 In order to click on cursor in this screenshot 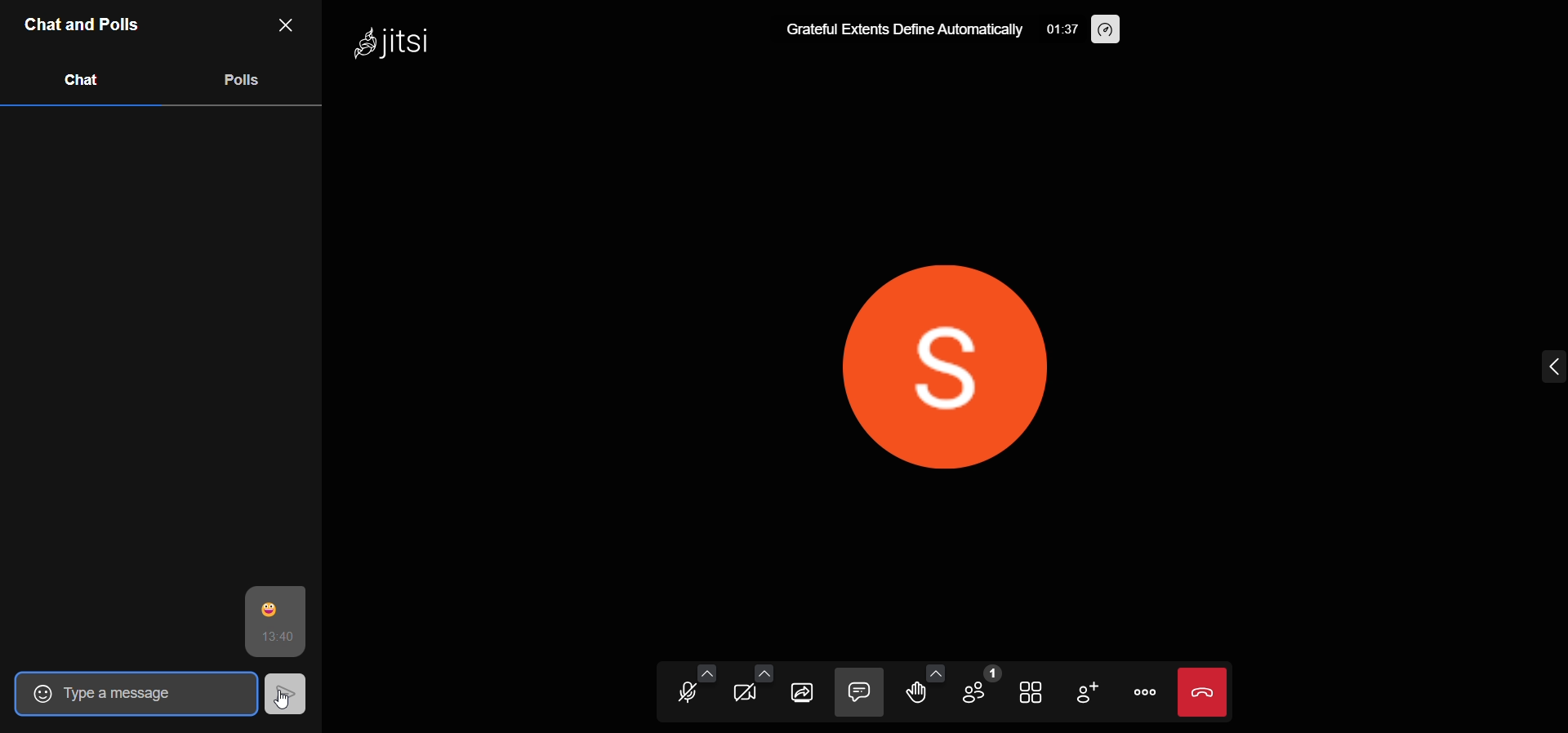, I will do `click(285, 692)`.